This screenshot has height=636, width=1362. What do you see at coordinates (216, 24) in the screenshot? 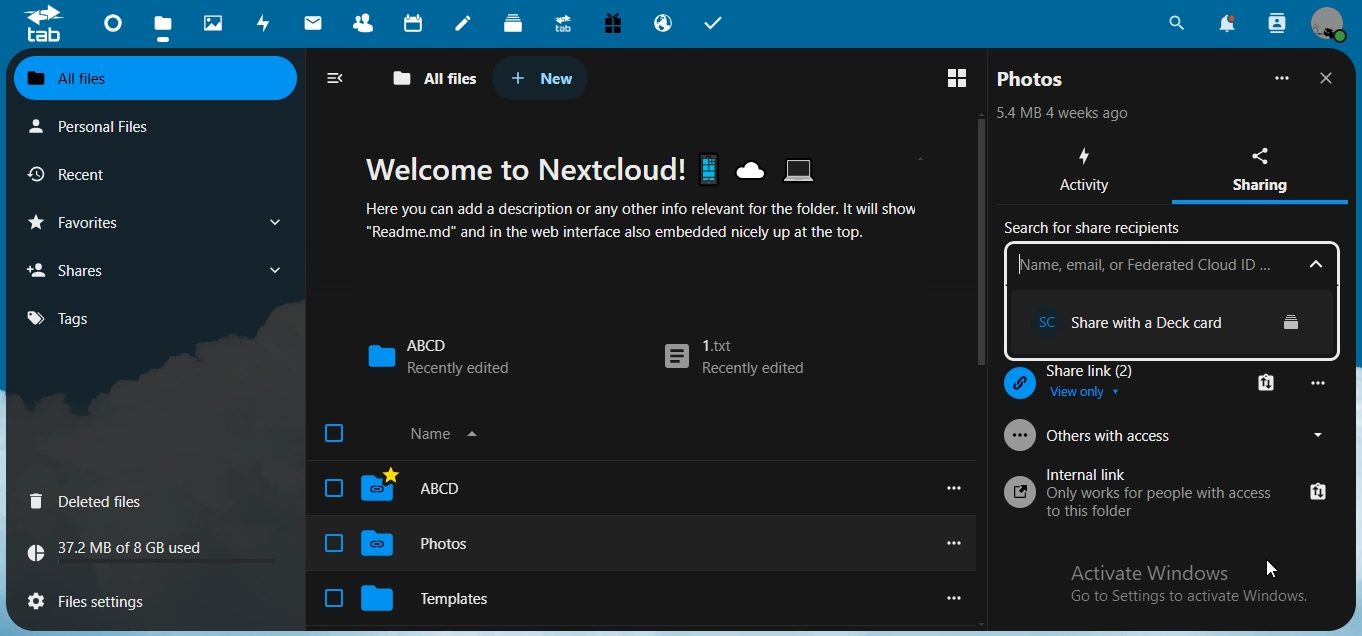
I see `photos` at bounding box center [216, 24].